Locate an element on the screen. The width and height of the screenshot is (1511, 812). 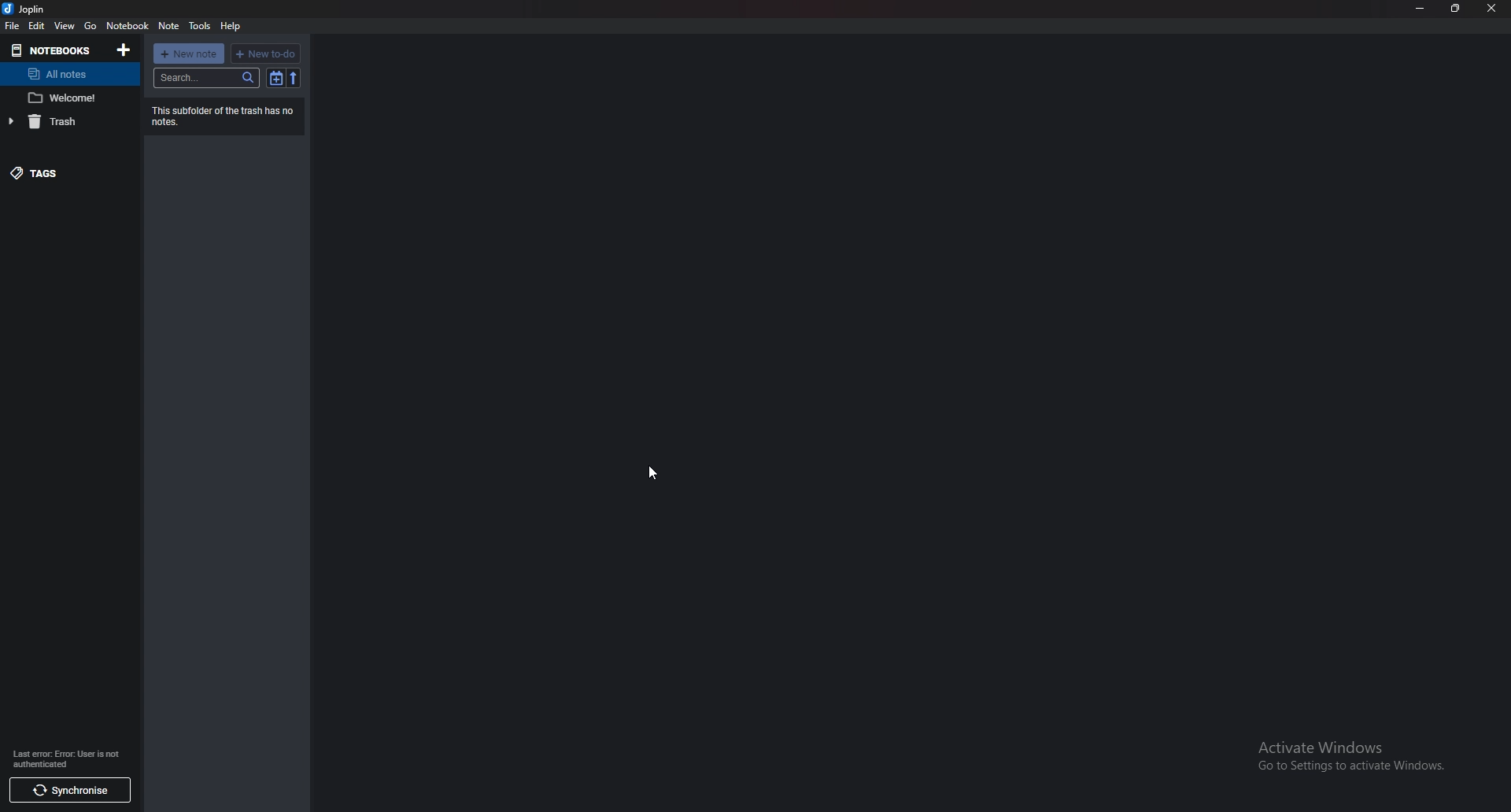
activate windows message advisory is located at coordinates (1349, 755).